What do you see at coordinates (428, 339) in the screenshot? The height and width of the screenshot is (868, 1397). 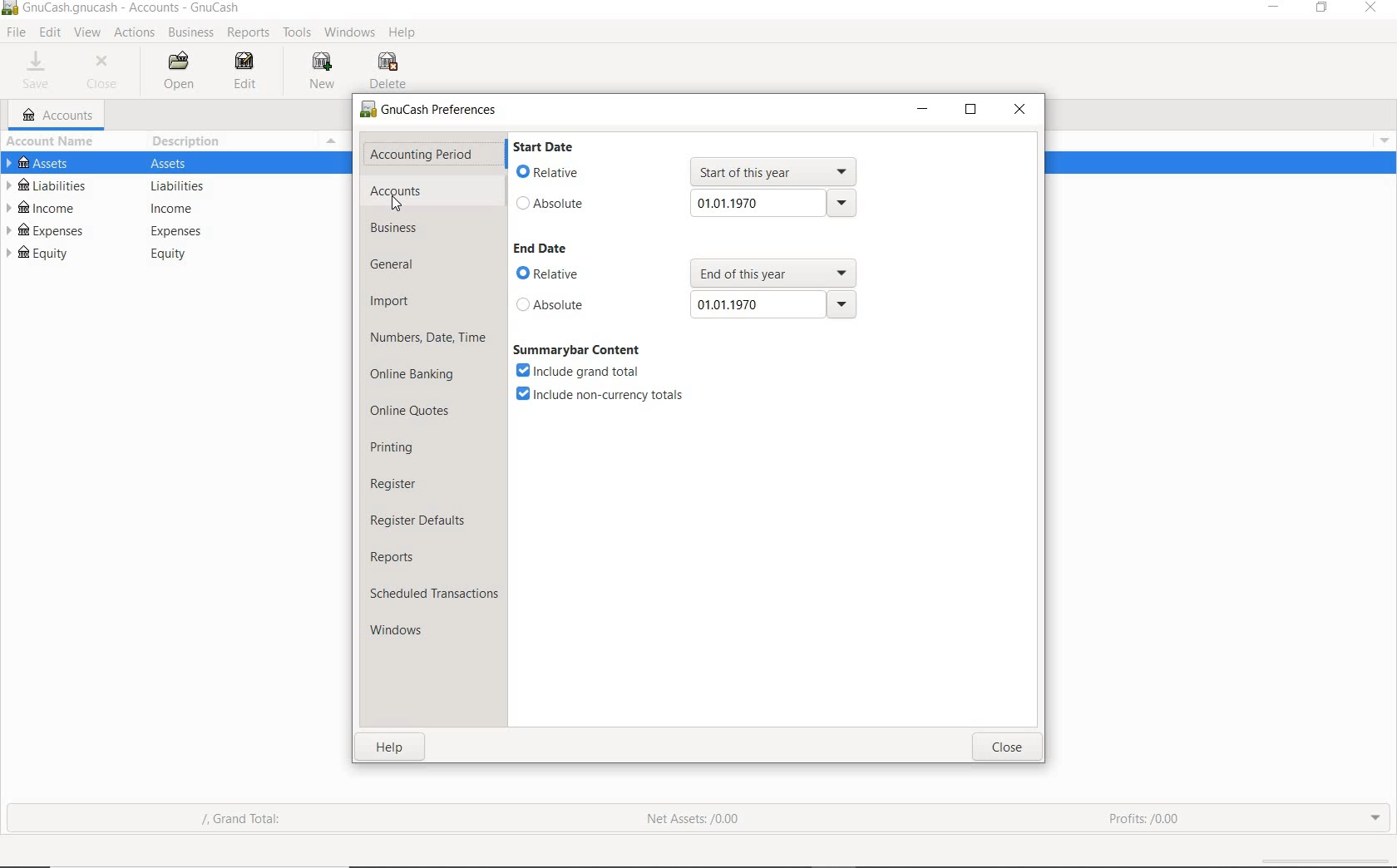 I see `numbers, date, time` at bounding box center [428, 339].